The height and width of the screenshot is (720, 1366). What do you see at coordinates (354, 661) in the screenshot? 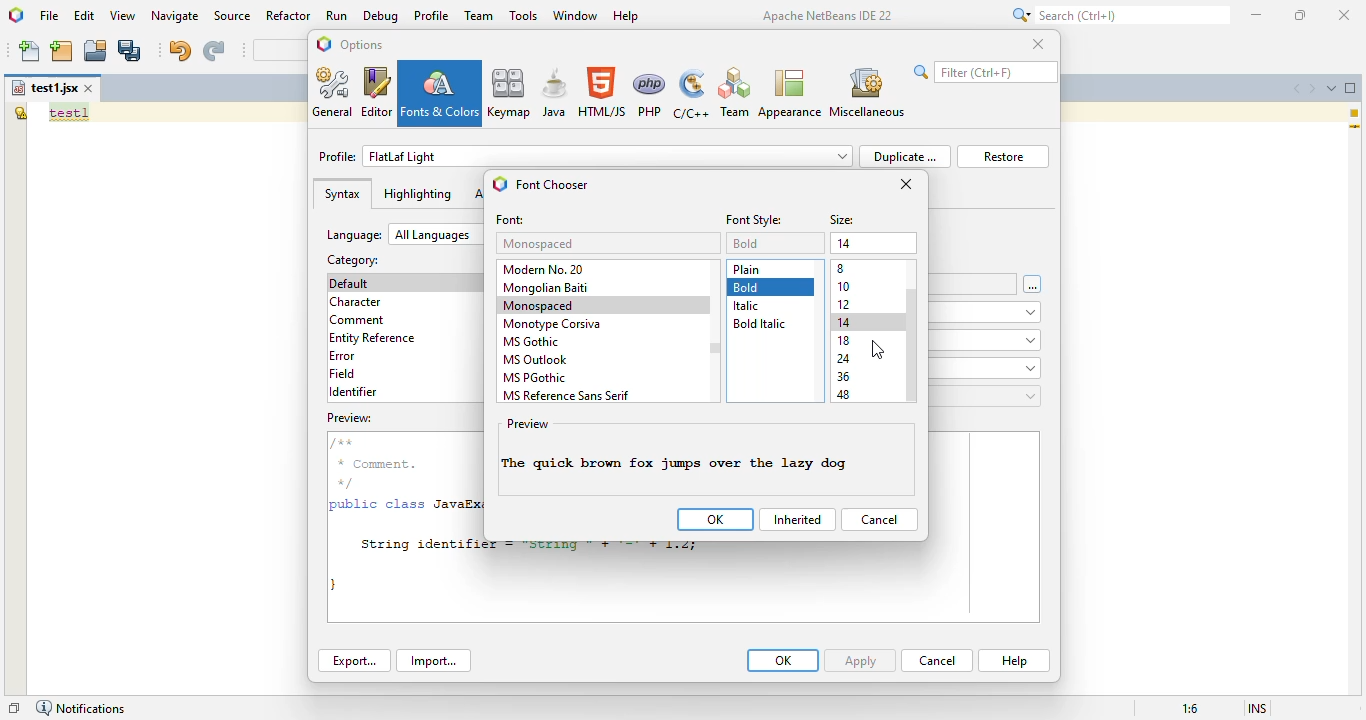
I see `export` at bounding box center [354, 661].